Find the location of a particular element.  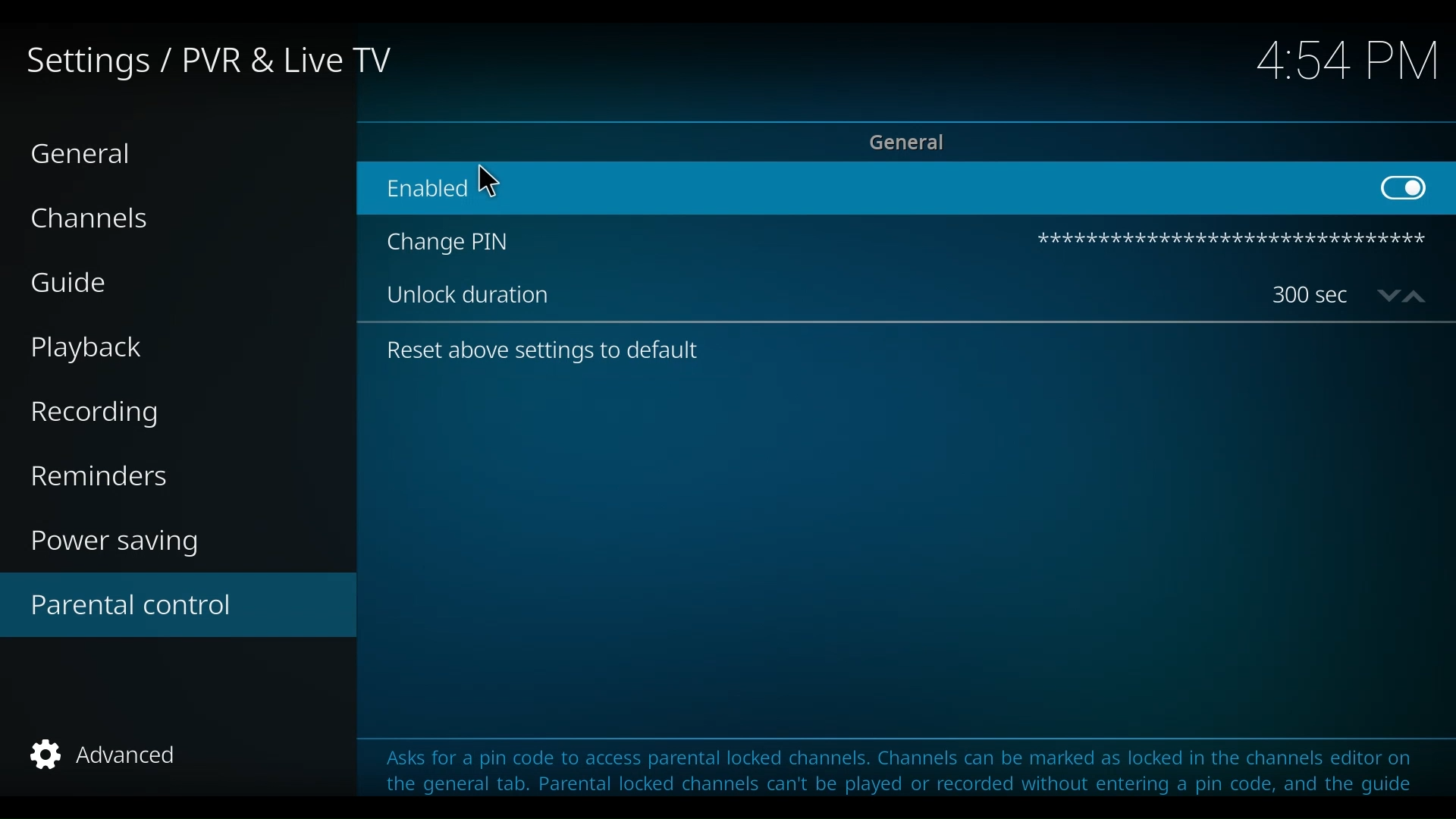

General is located at coordinates (906, 142).